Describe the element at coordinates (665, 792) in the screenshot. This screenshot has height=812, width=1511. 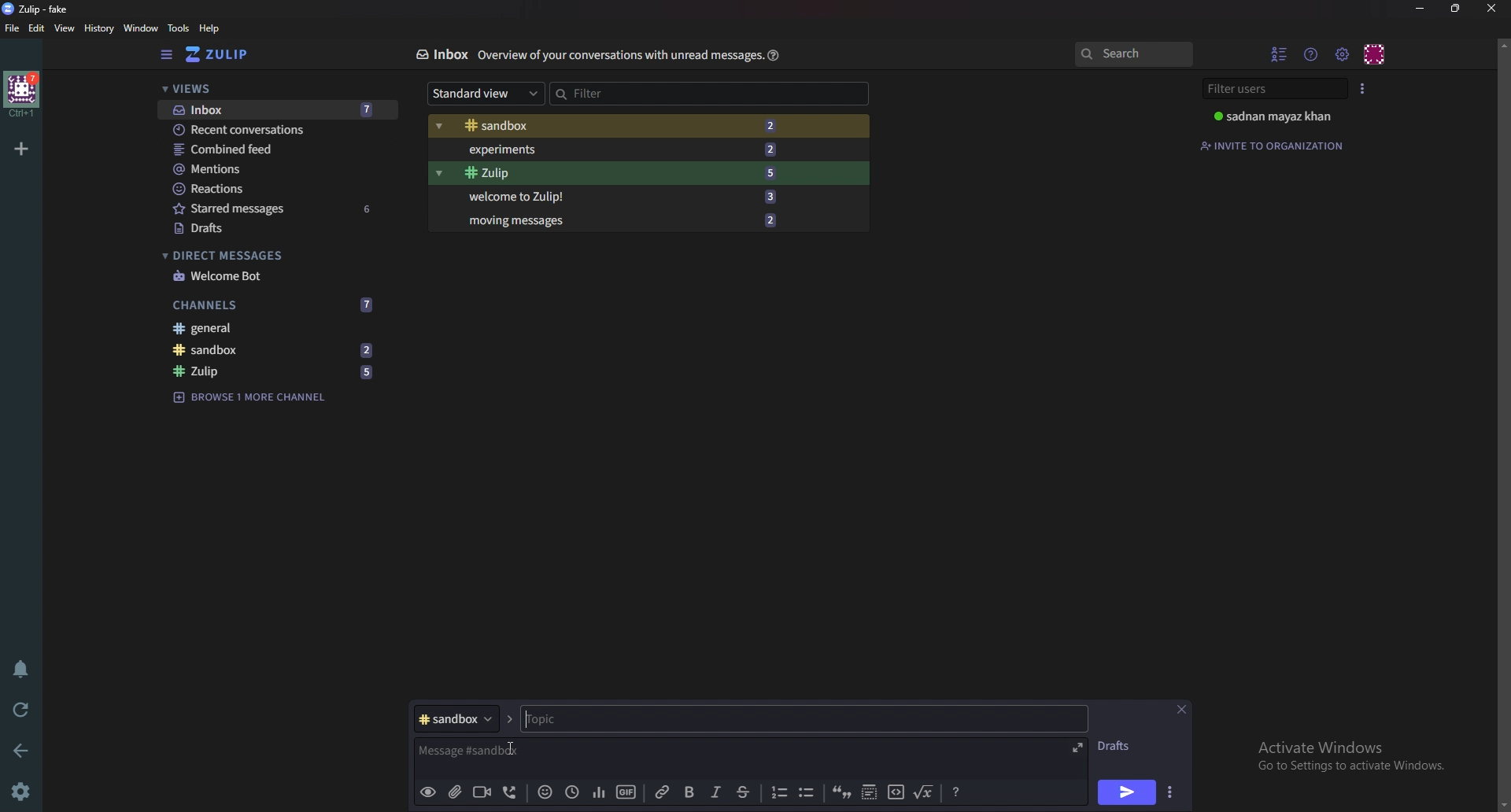
I see `link` at that location.